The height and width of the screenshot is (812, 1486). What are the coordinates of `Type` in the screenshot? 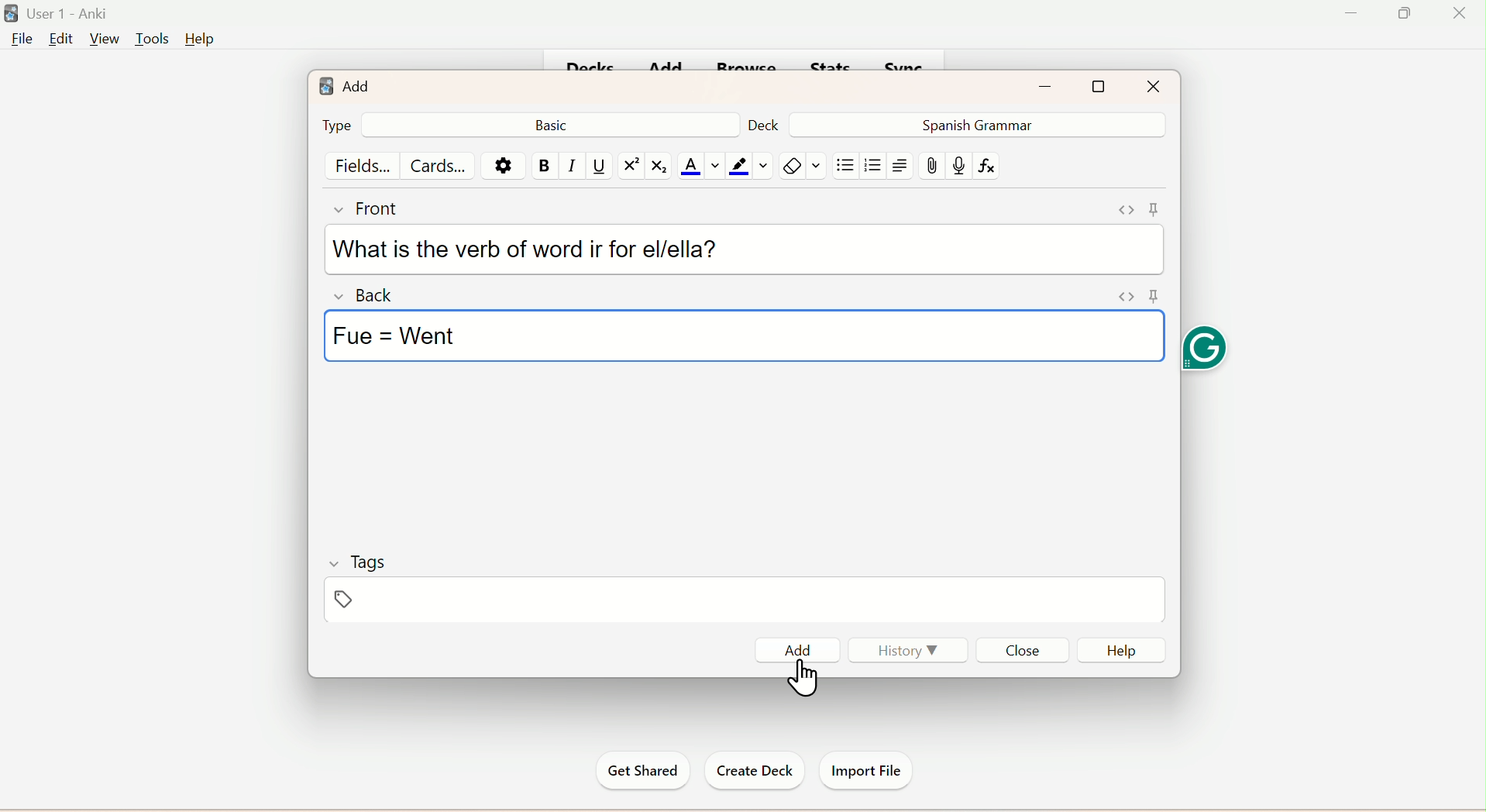 It's located at (335, 125).